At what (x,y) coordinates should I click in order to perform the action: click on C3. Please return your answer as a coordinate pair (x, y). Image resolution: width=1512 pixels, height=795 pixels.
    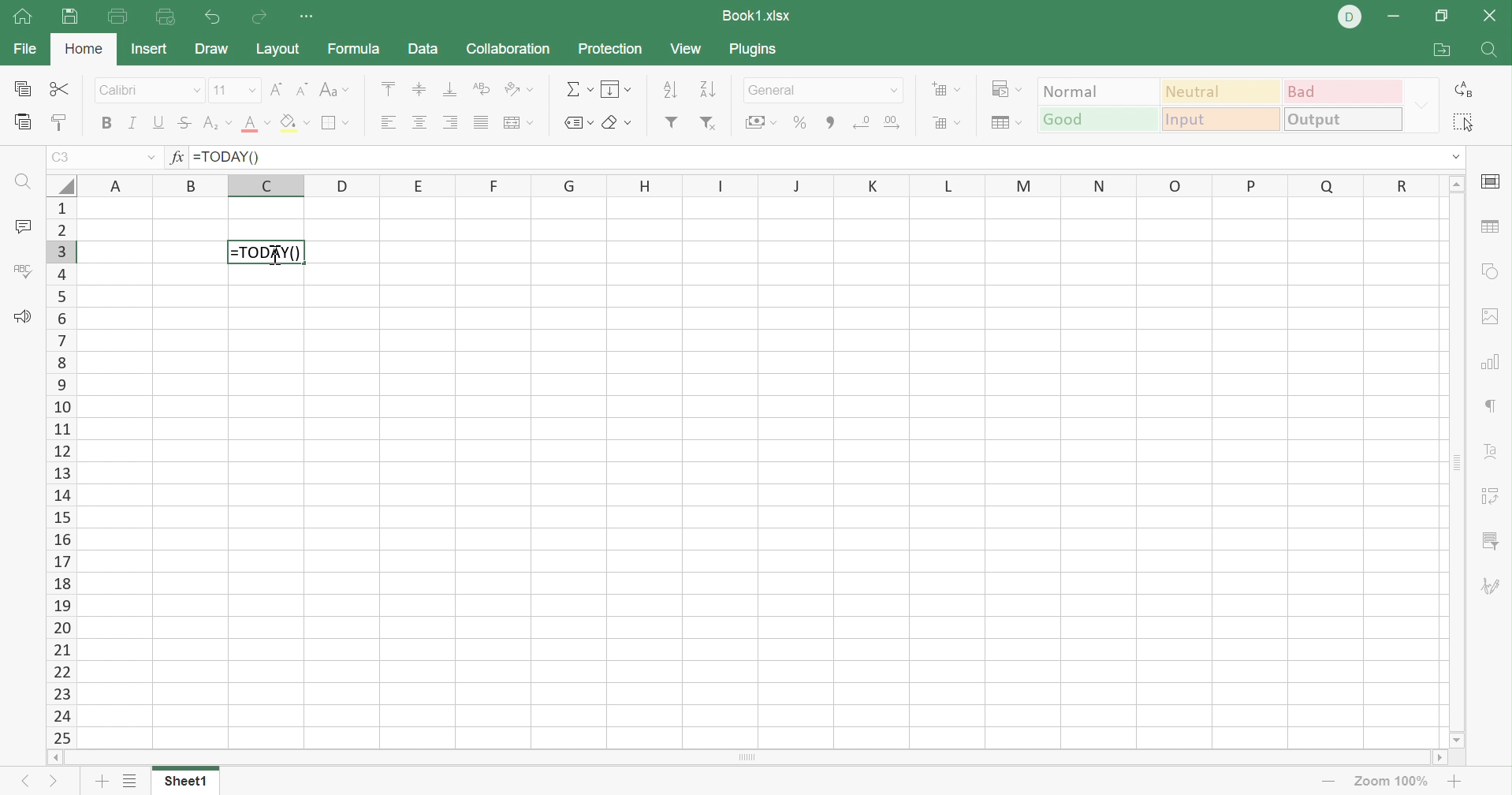
    Looking at the image, I should click on (58, 157).